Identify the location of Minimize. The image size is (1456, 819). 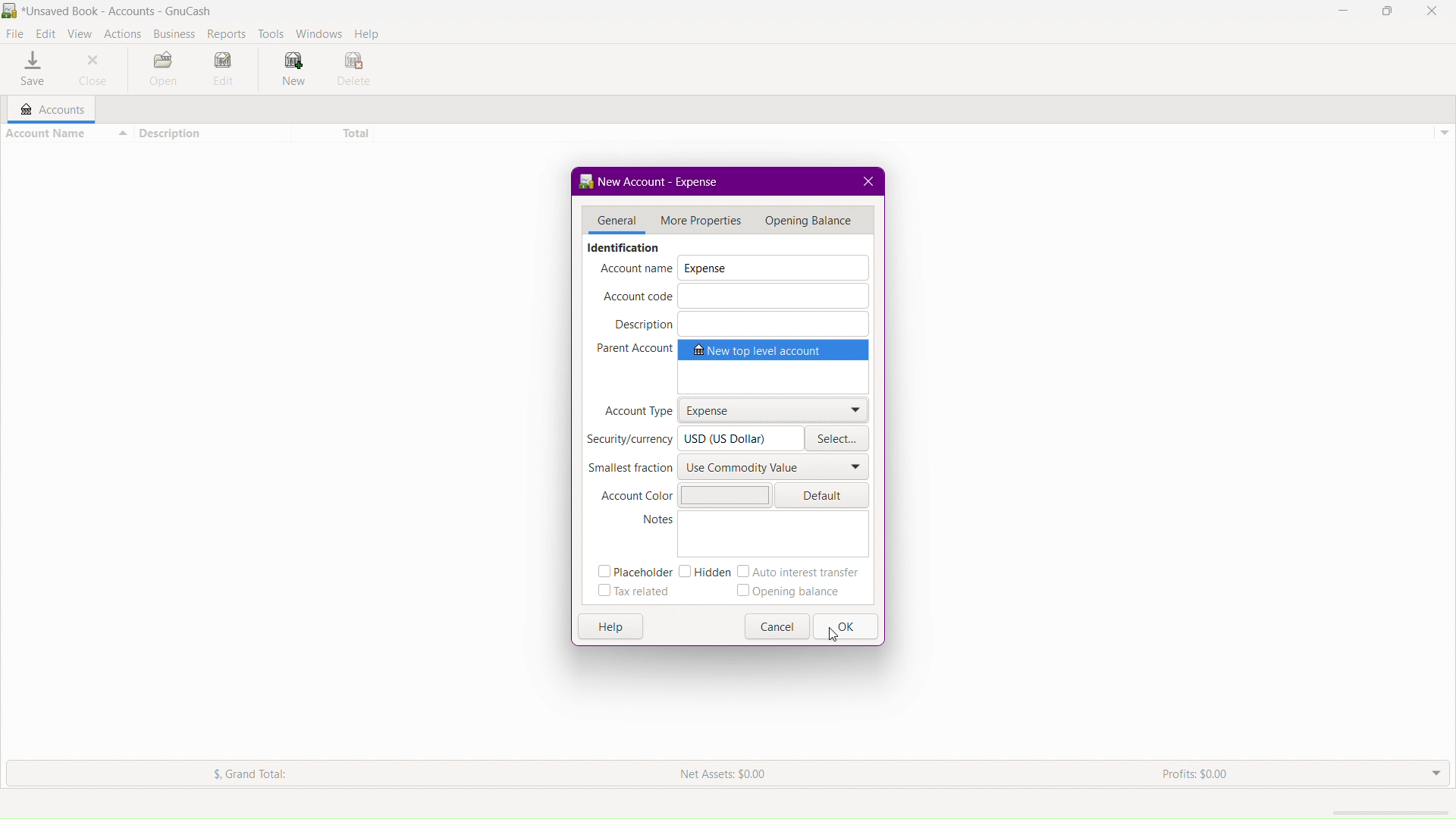
(1345, 11).